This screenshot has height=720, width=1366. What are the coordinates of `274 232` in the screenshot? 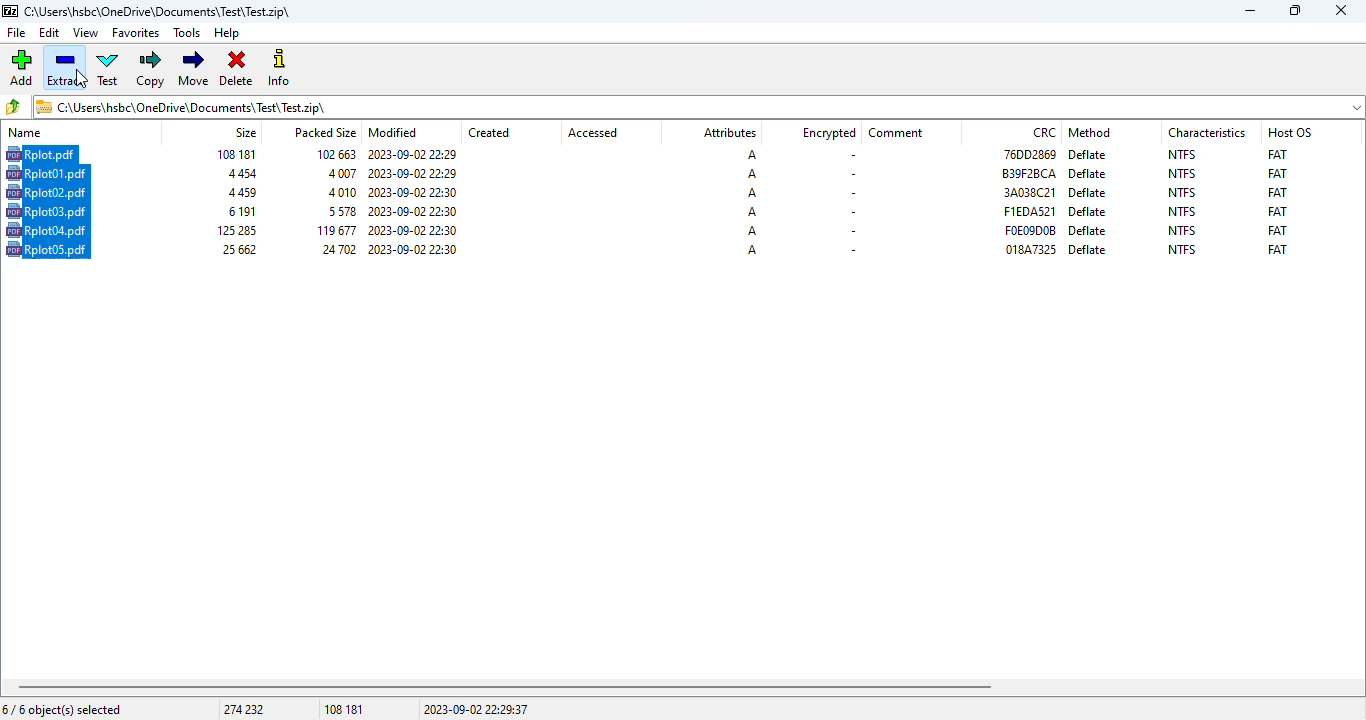 It's located at (243, 709).